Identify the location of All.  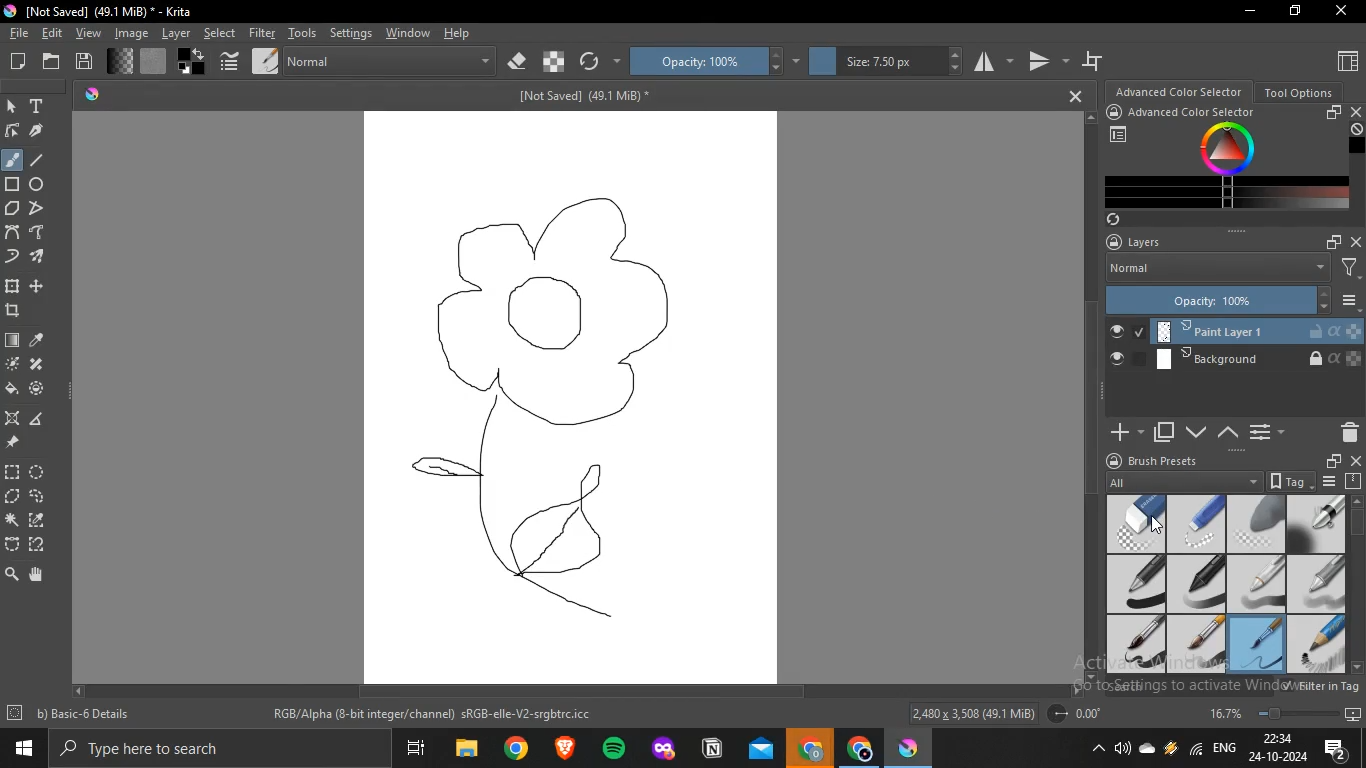
(1182, 480).